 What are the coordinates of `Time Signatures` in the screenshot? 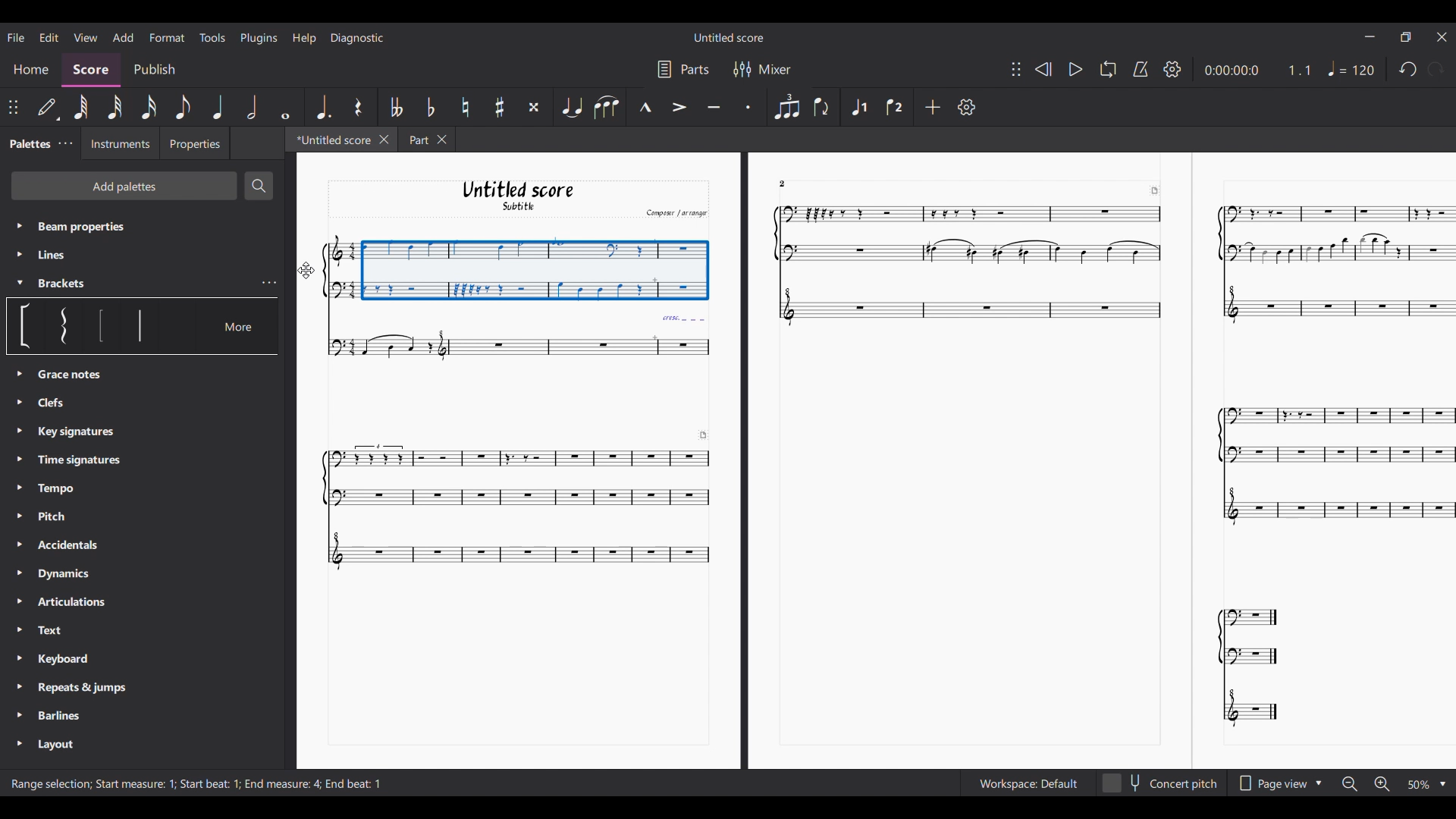 It's located at (80, 457).